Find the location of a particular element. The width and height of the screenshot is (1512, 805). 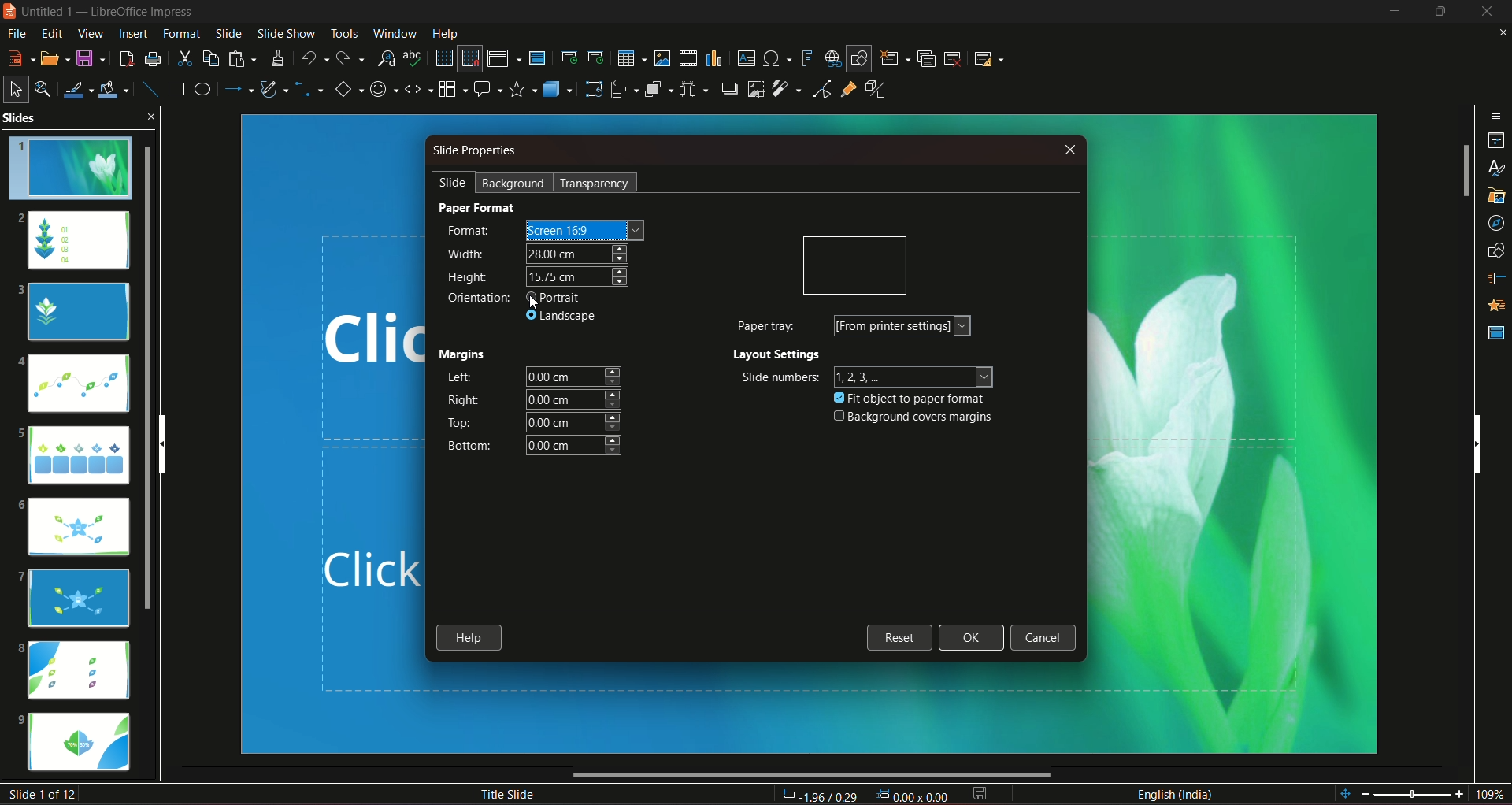

select is located at coordinates (16, 87).